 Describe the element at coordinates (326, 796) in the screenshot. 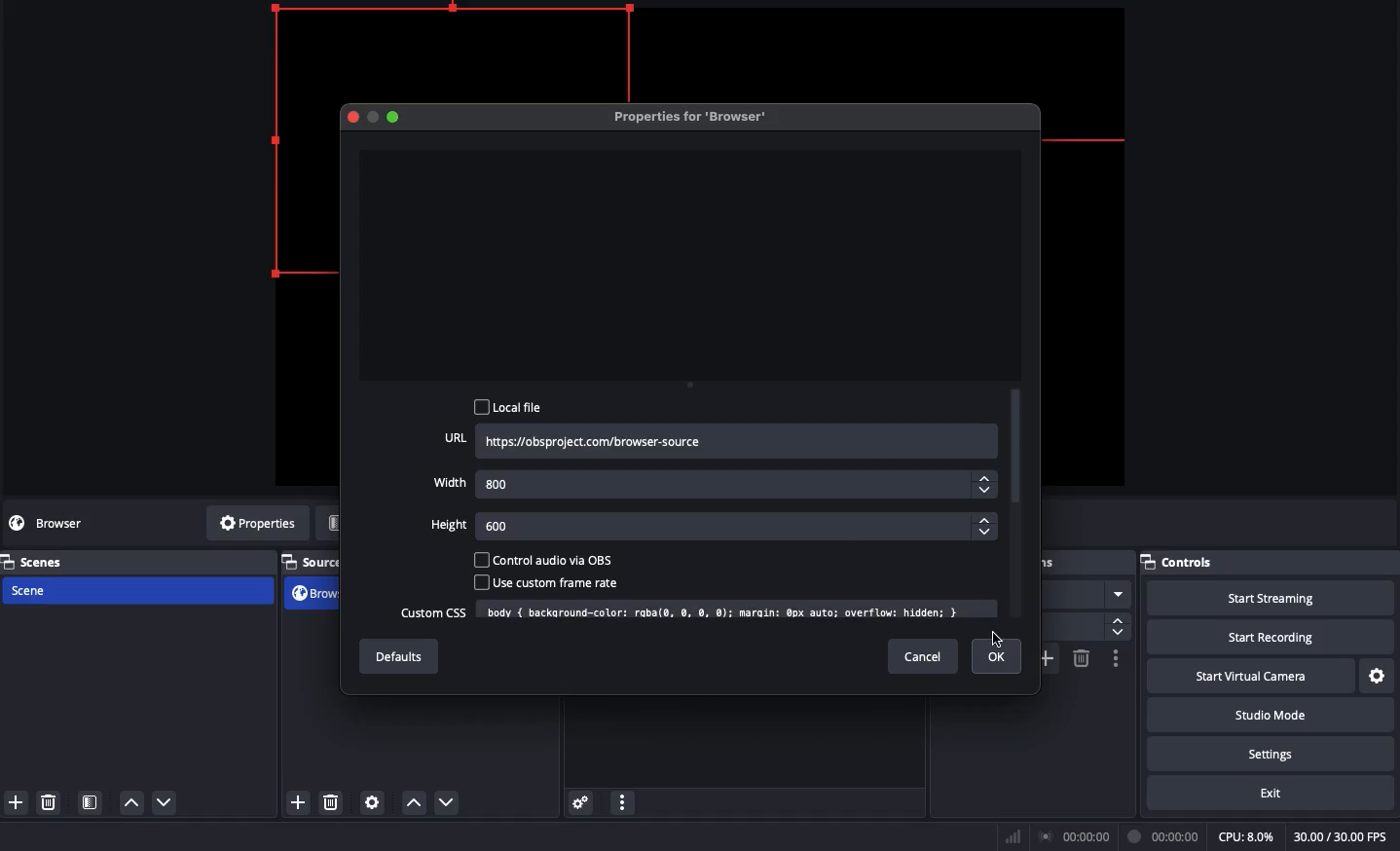

I see `delete` at that location.